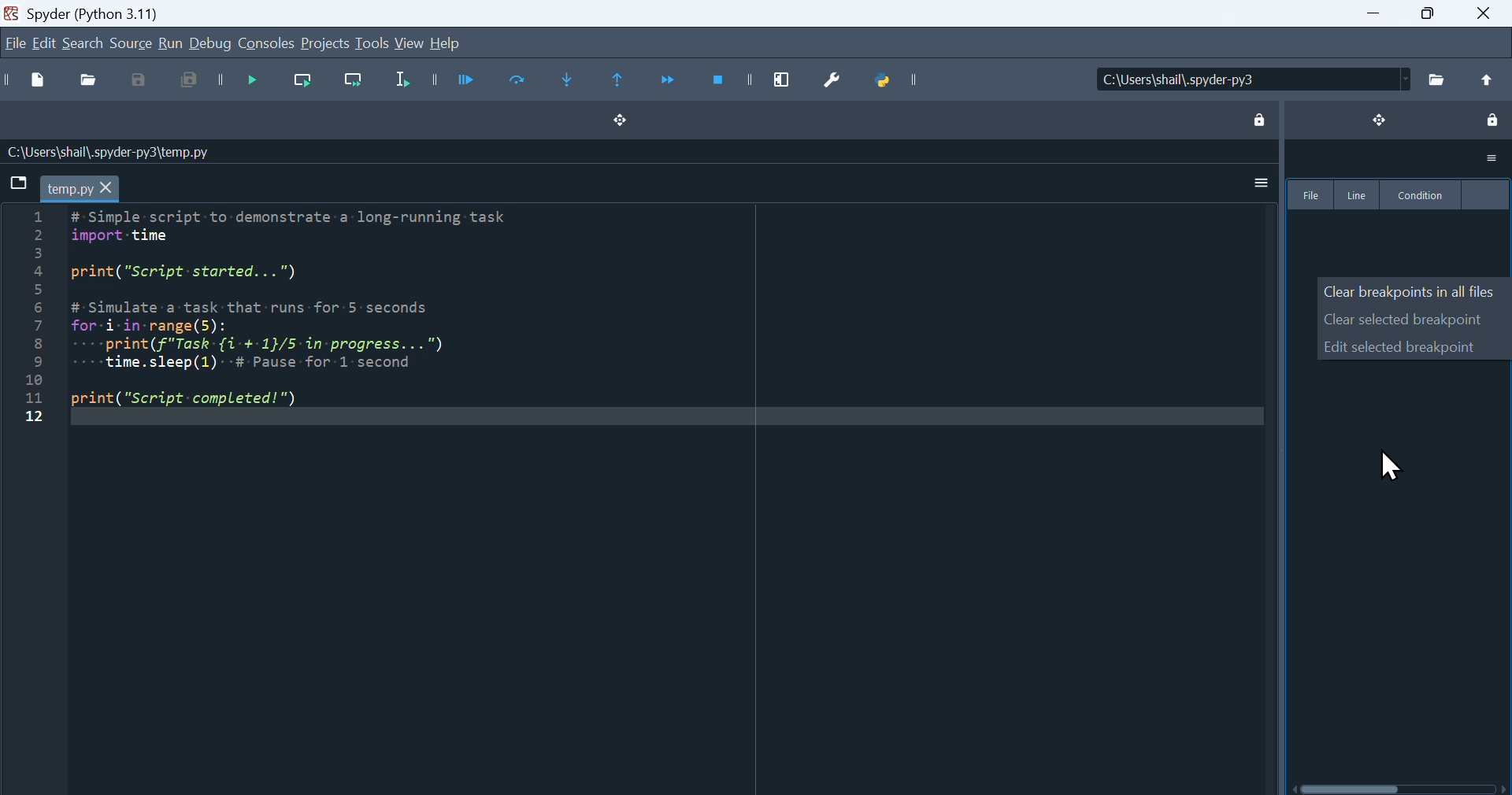 The height and width of the screenshot is (795, 1512). Describe the element at coordinates (83, 42) in the screenshot. I see `search` at that location.